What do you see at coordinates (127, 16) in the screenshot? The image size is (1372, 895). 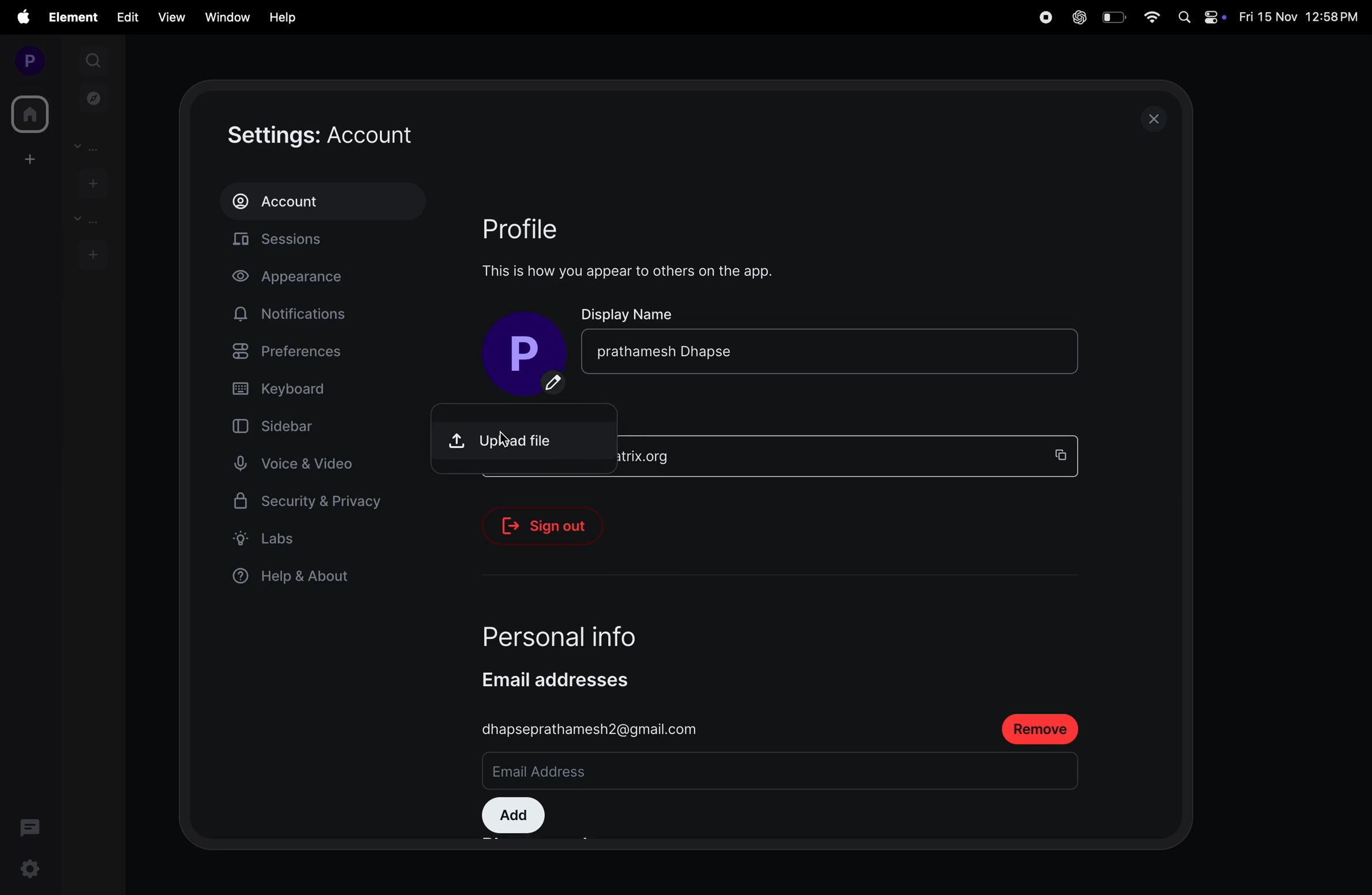 I see `edit` at bounding box center [127, 16].